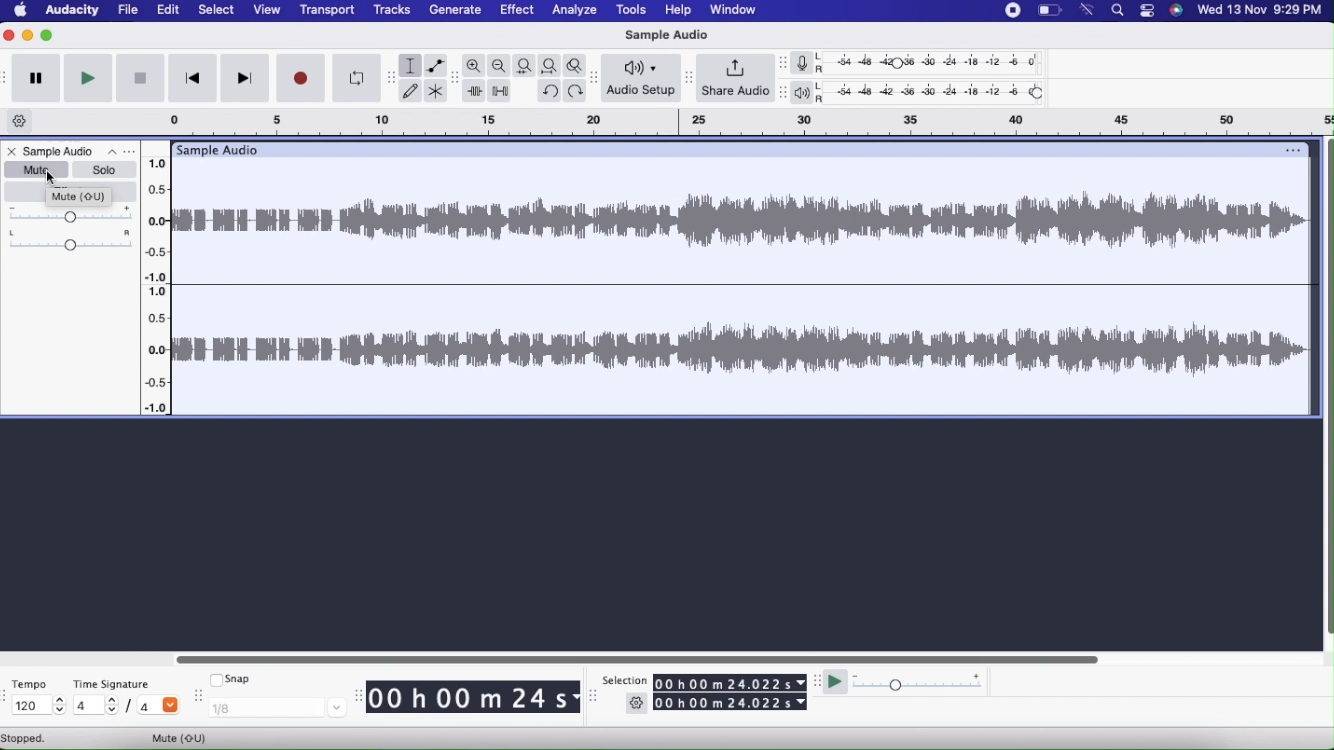 This screenshot has width=1334, height=750. What do you see at coordinates (740, 123) in the screenshot?
I see `Click and drag to define a looping region` at bounding box center [740, 123].